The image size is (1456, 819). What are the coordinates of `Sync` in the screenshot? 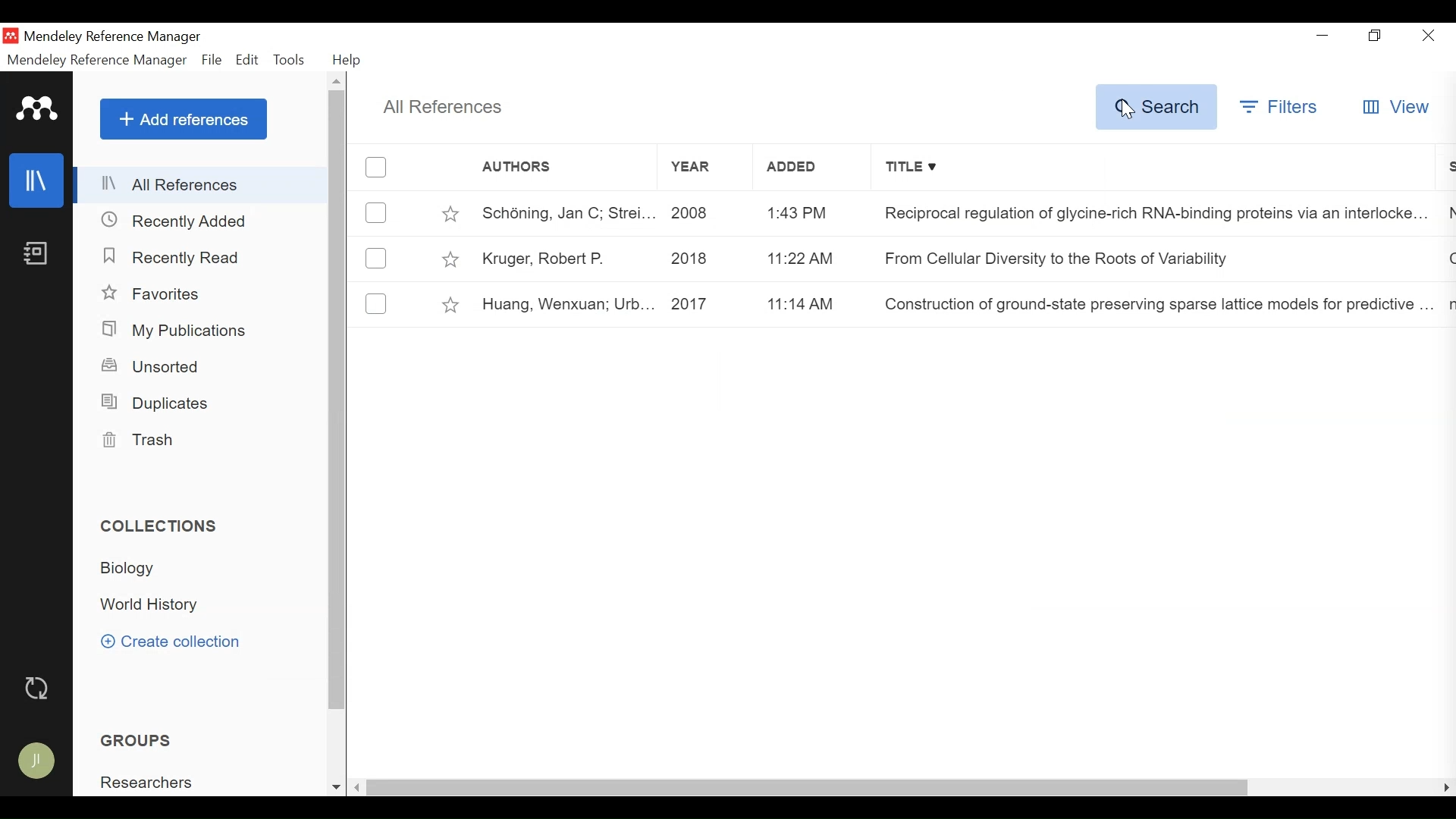 It's located at (36, 688).